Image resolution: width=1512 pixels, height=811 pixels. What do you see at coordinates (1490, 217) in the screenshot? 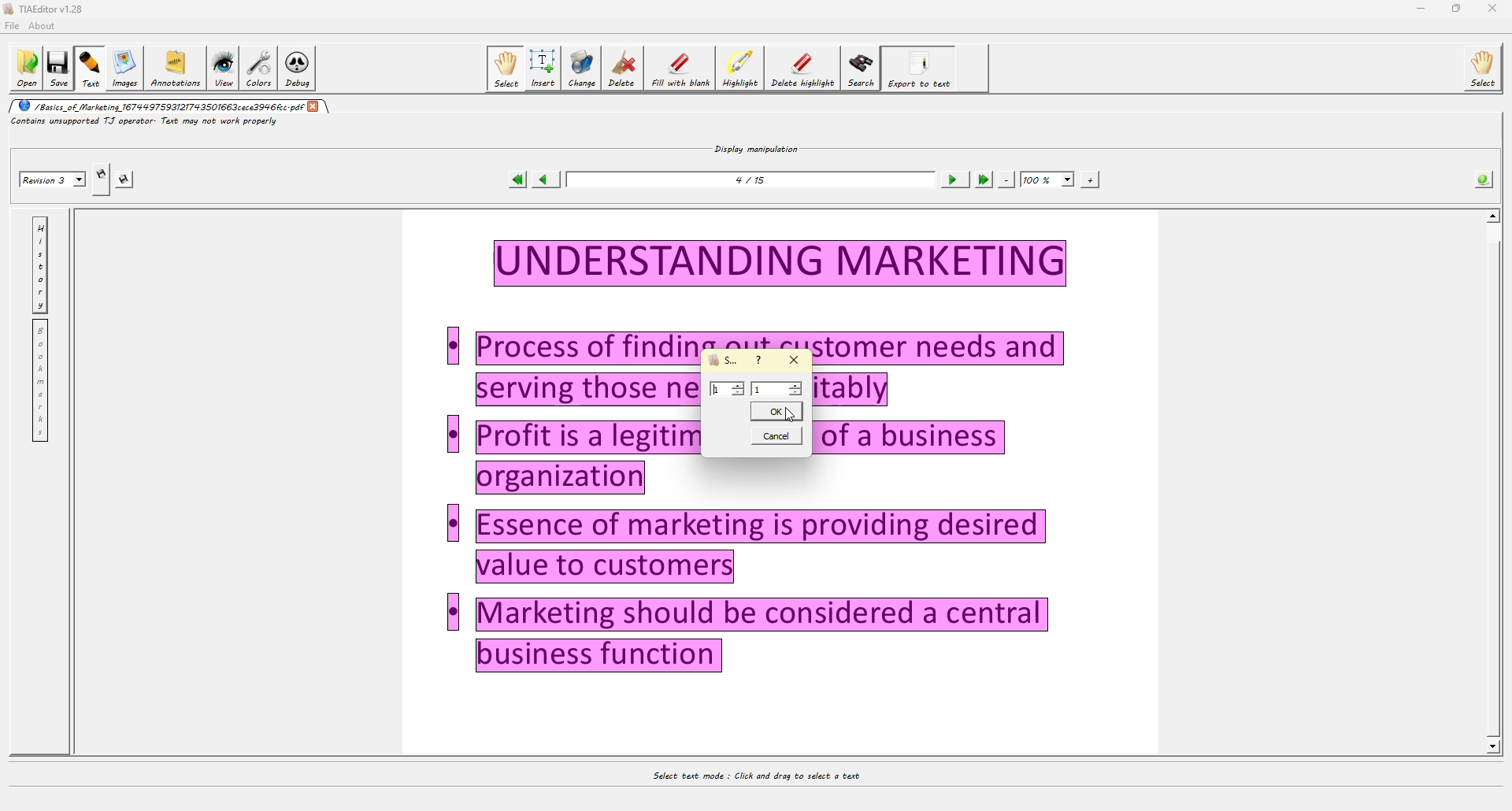
I see `scroll up` at bounding box center [1490, 217].